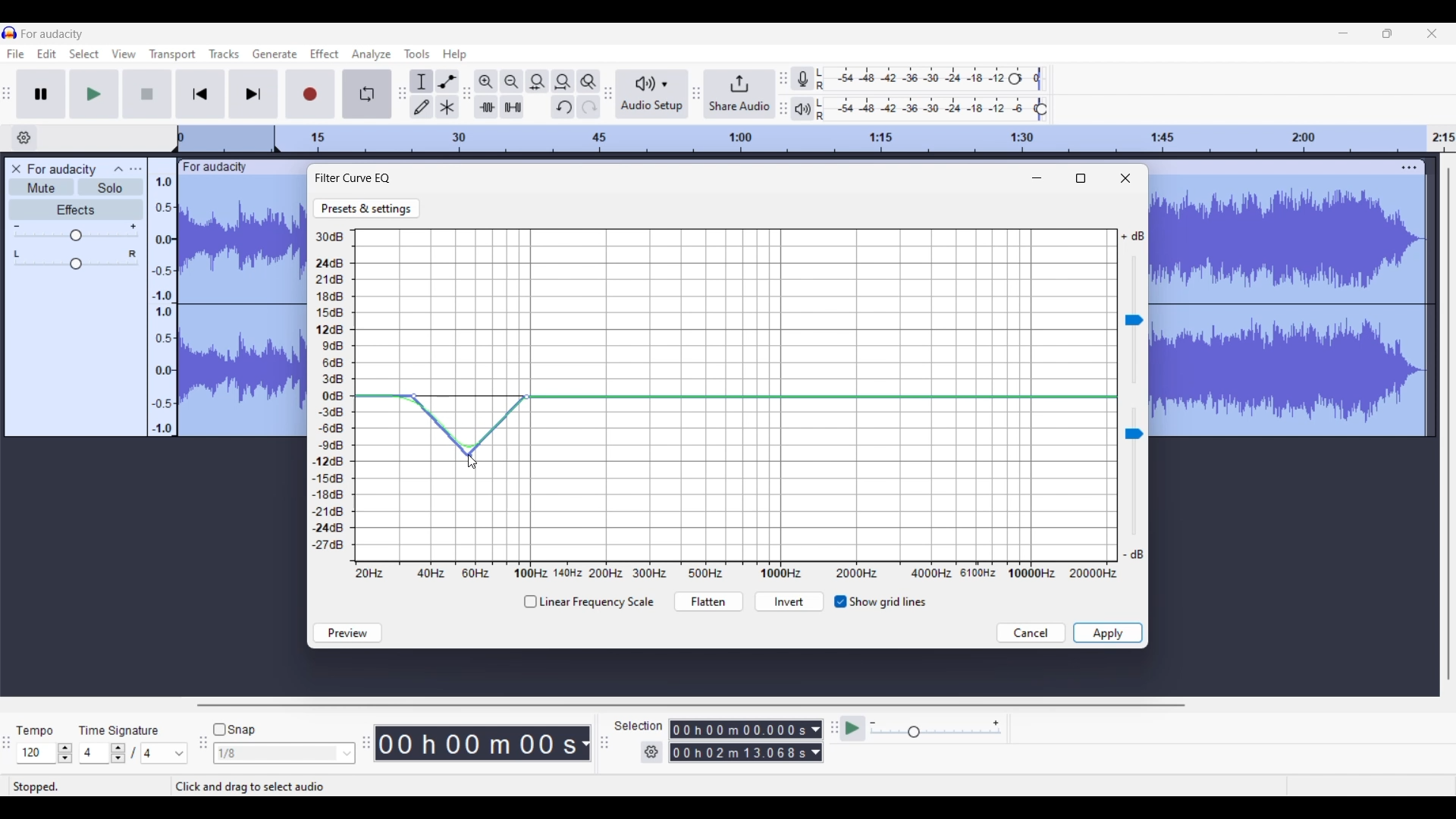 The width and height of the screenshot is (1456, 819). I want to click on Preview sound, so click(347, 633).